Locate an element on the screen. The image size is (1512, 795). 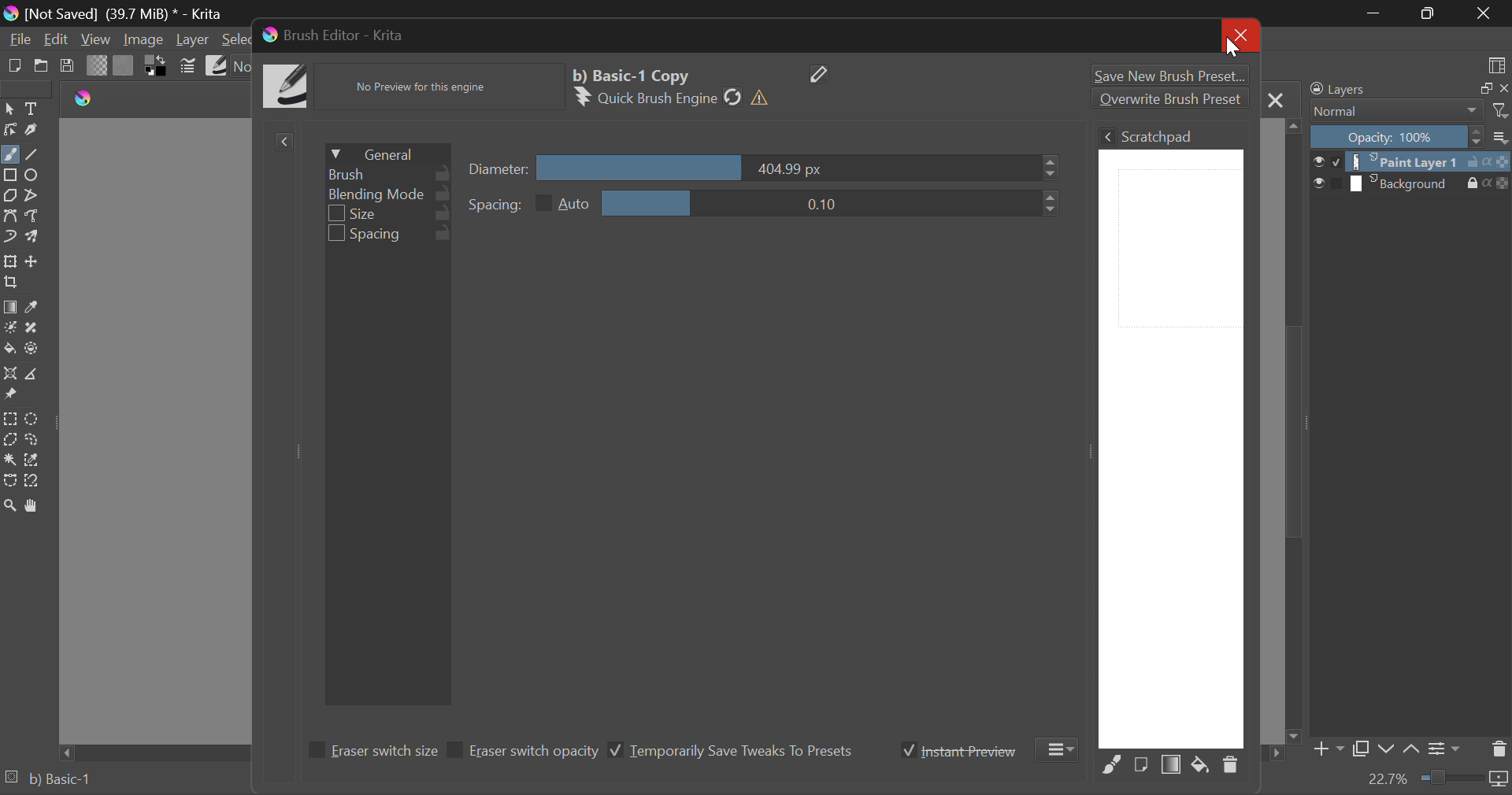
Rectangle Selection is located at coordinates (10, 418).